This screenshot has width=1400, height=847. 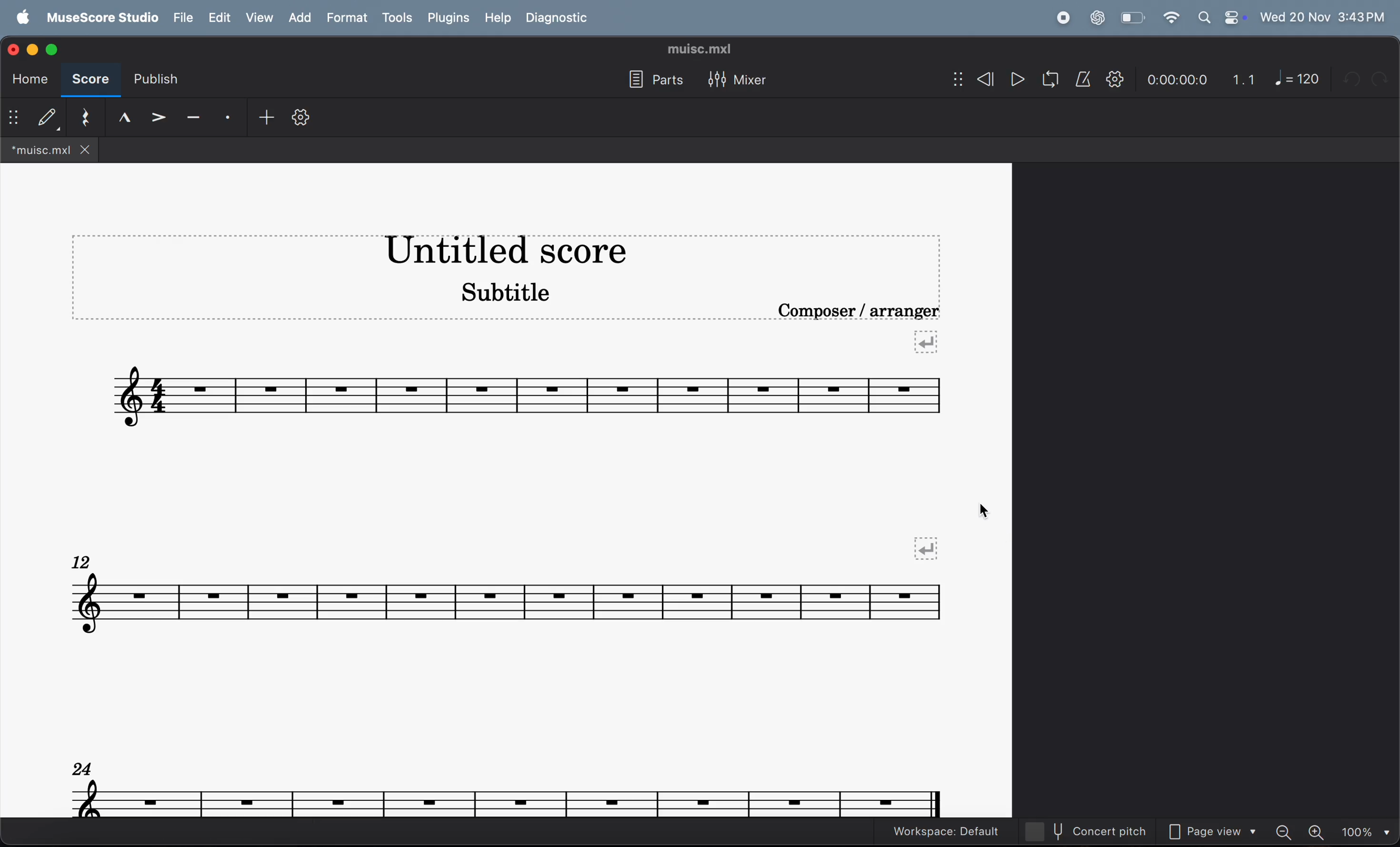 What do you see at coordinates (1012, 78) in the screenshot?
I see `play` at bounding box center [1012, 78].